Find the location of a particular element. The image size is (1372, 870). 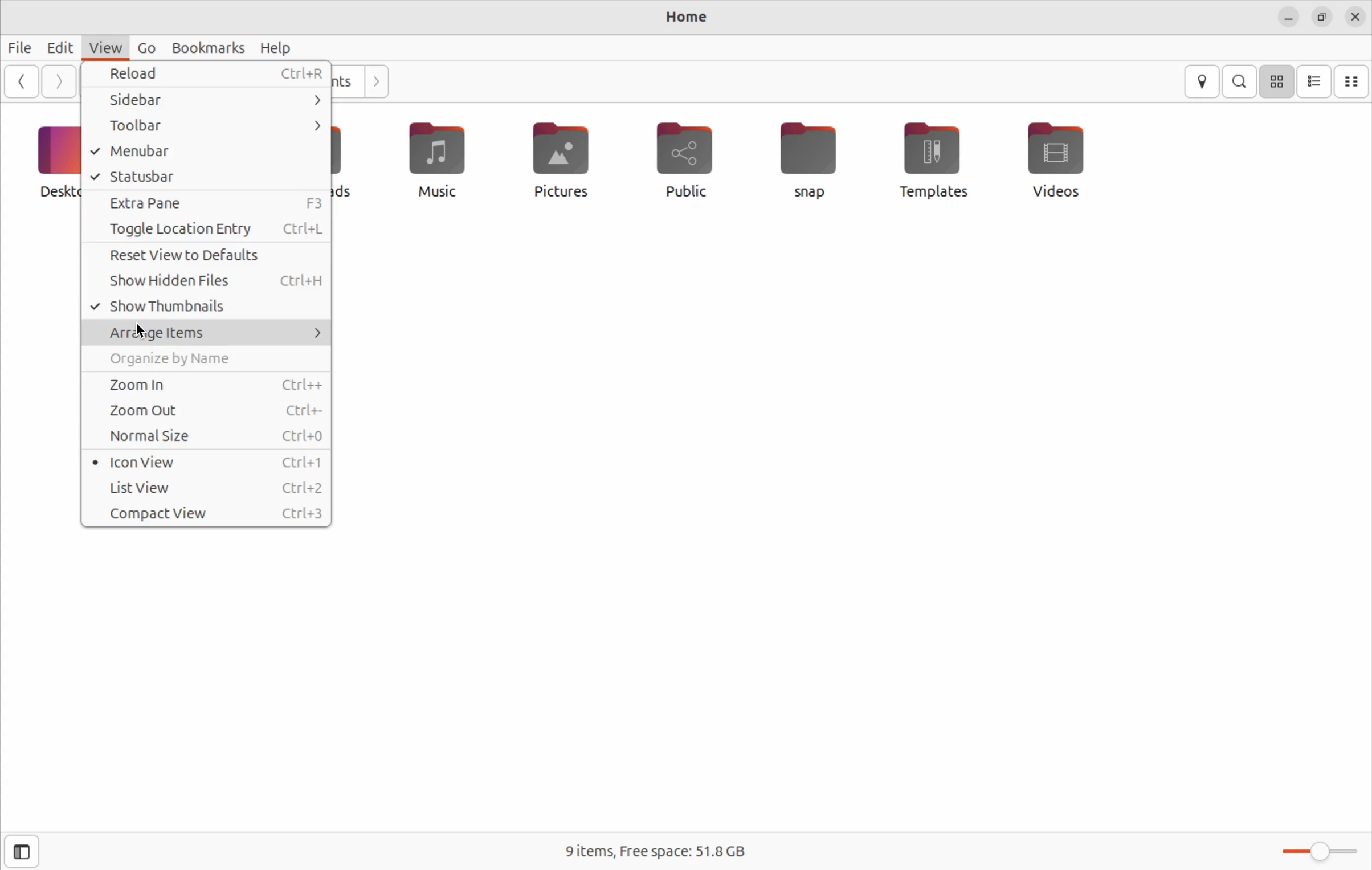

home is located at coordinates (690, 18).